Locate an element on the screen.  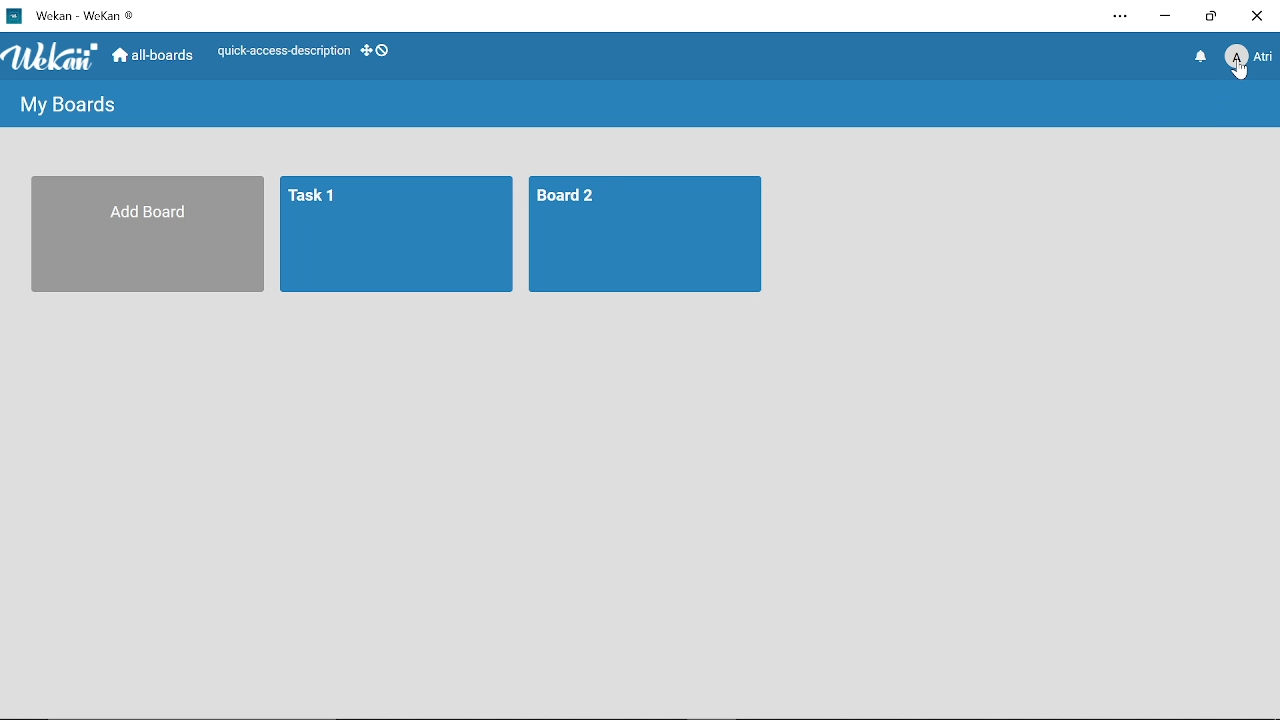
Minimize is located at coordinates (1165, 19).